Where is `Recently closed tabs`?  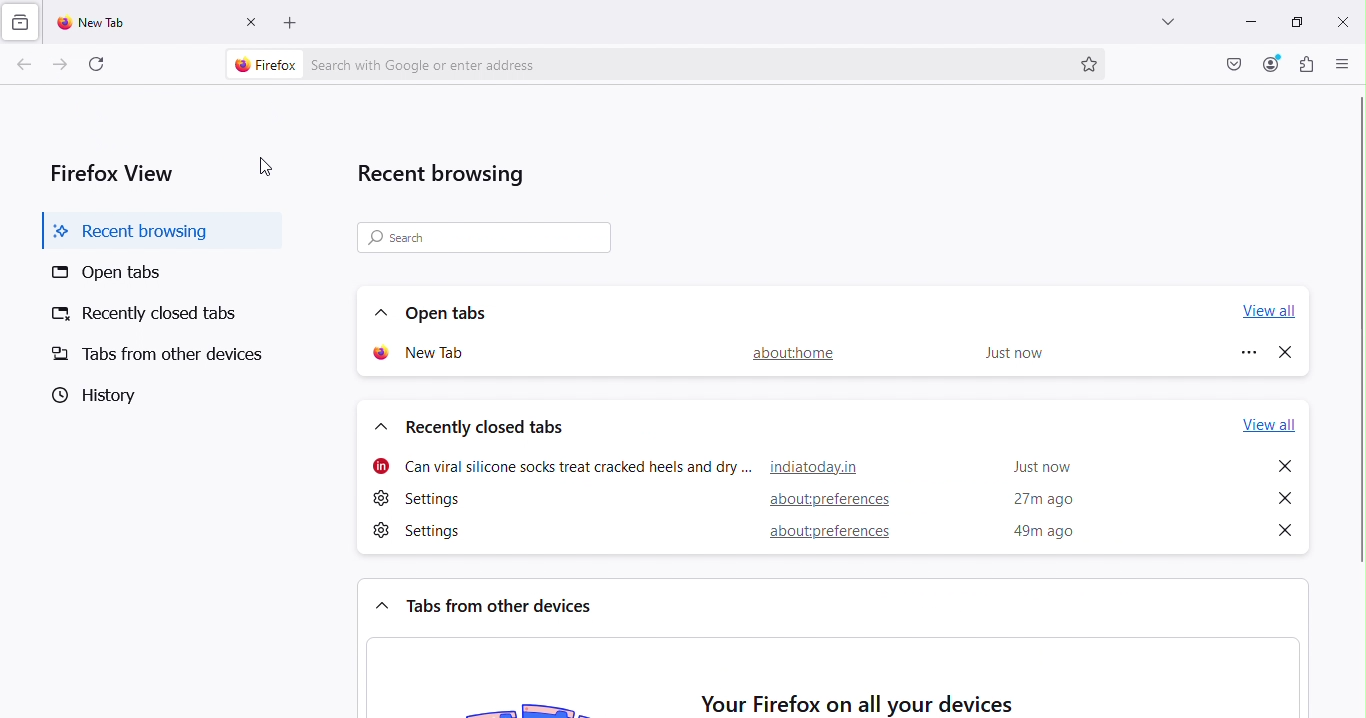
Recently closed tabs is located at coordinates (138, 312).